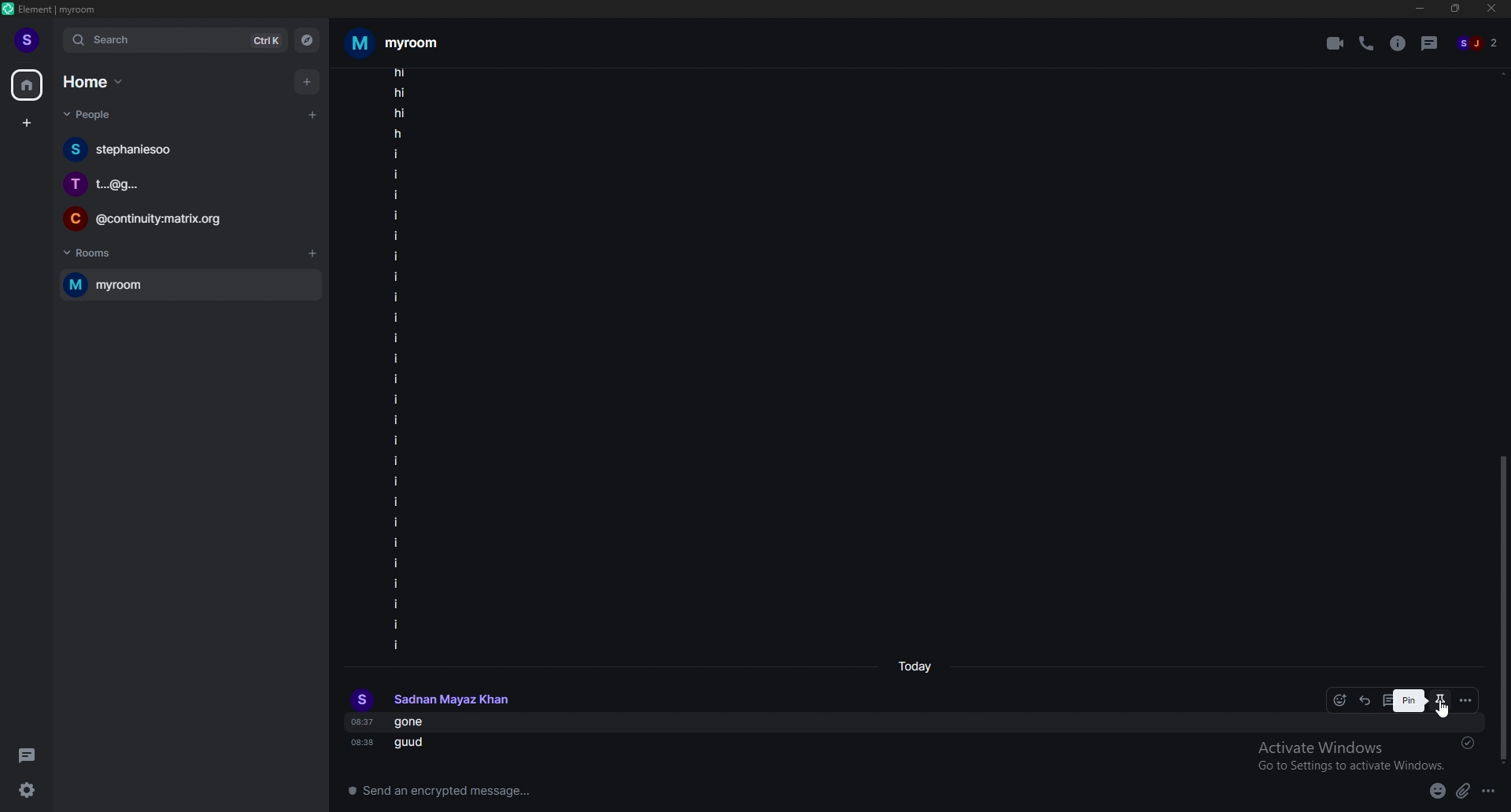 This screenshot has height=812, width=1511. I want to click on people, so click(1483, 41).